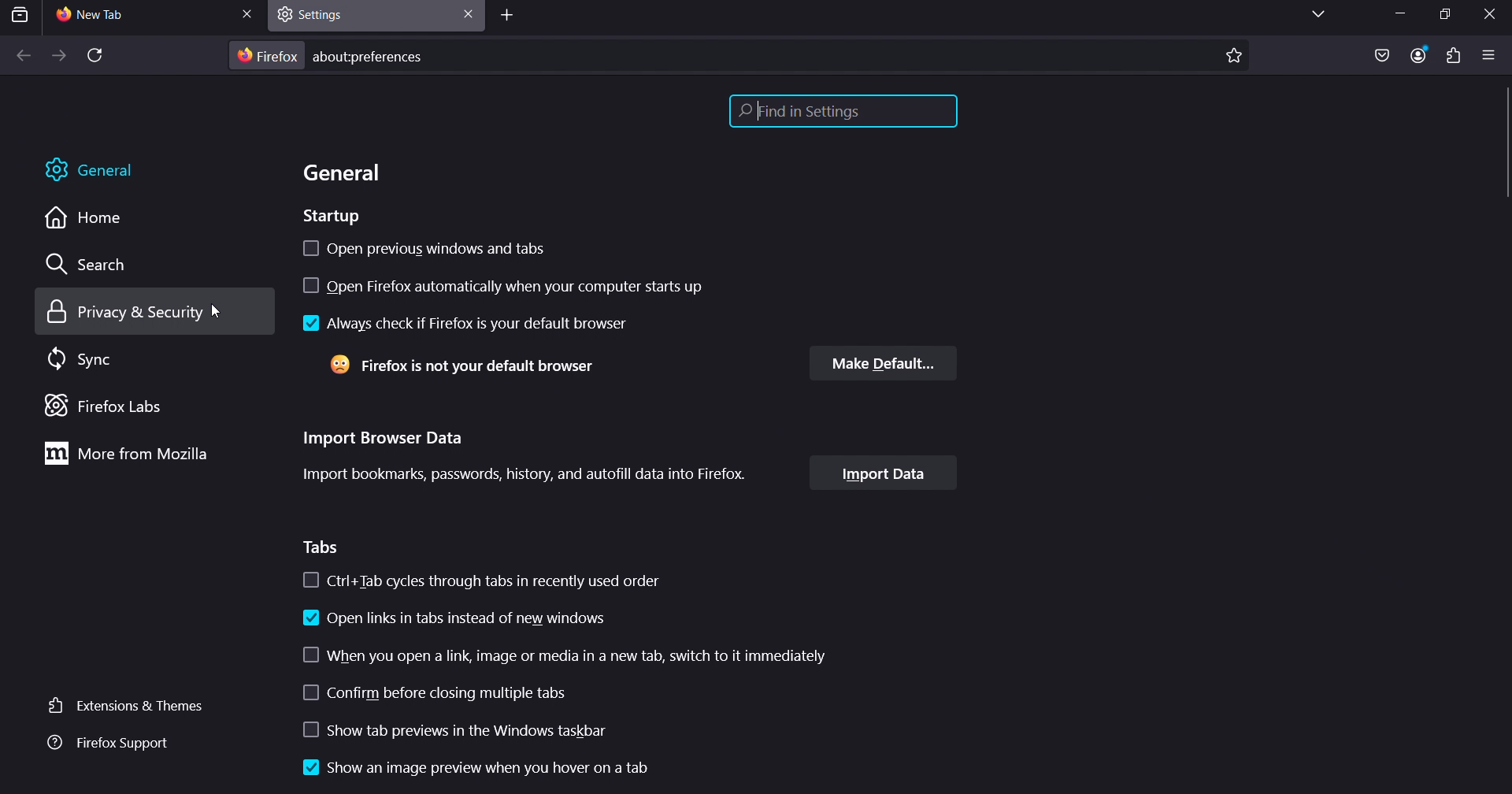 This screenshot has height=794, width=1512. What do you see at coordinates (1438, 14) in the screenshot?
I see `restore down` at bounding box center [1438, 14].